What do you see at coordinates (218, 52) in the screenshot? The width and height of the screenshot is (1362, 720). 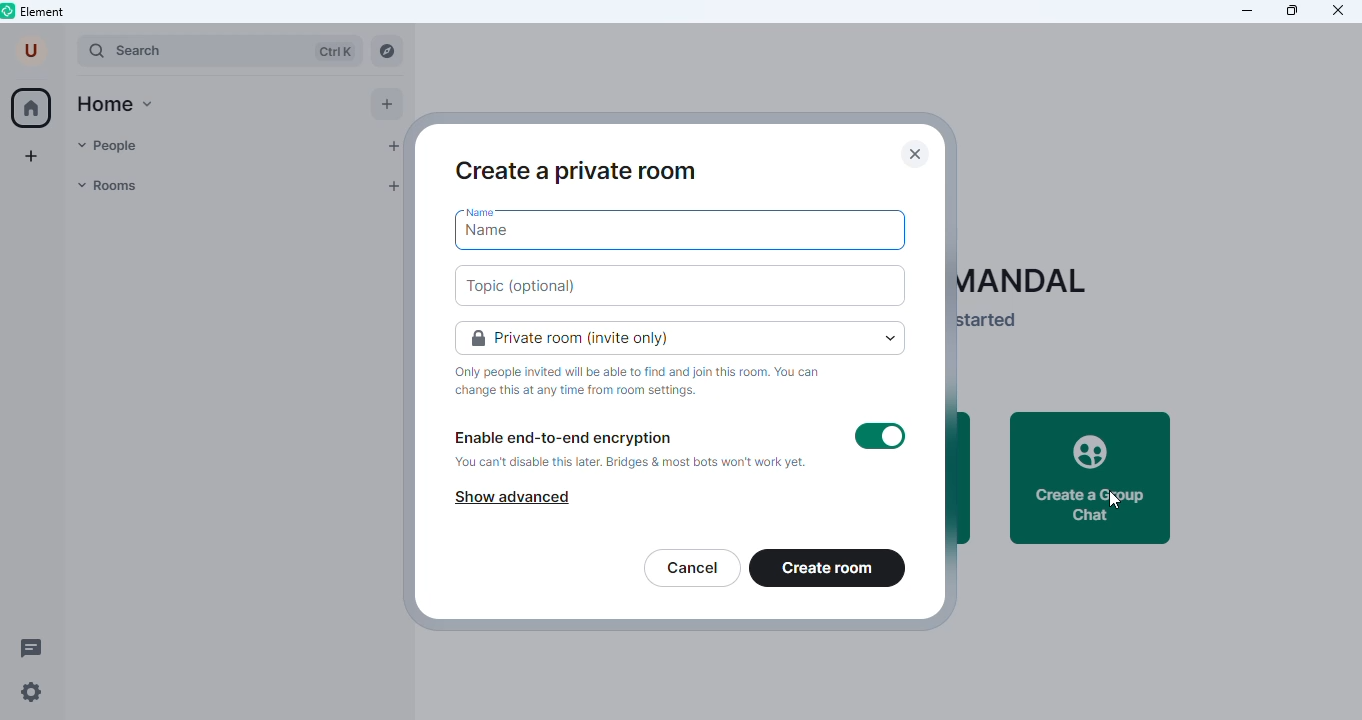 I see `search` at bounding box center [218, 52].